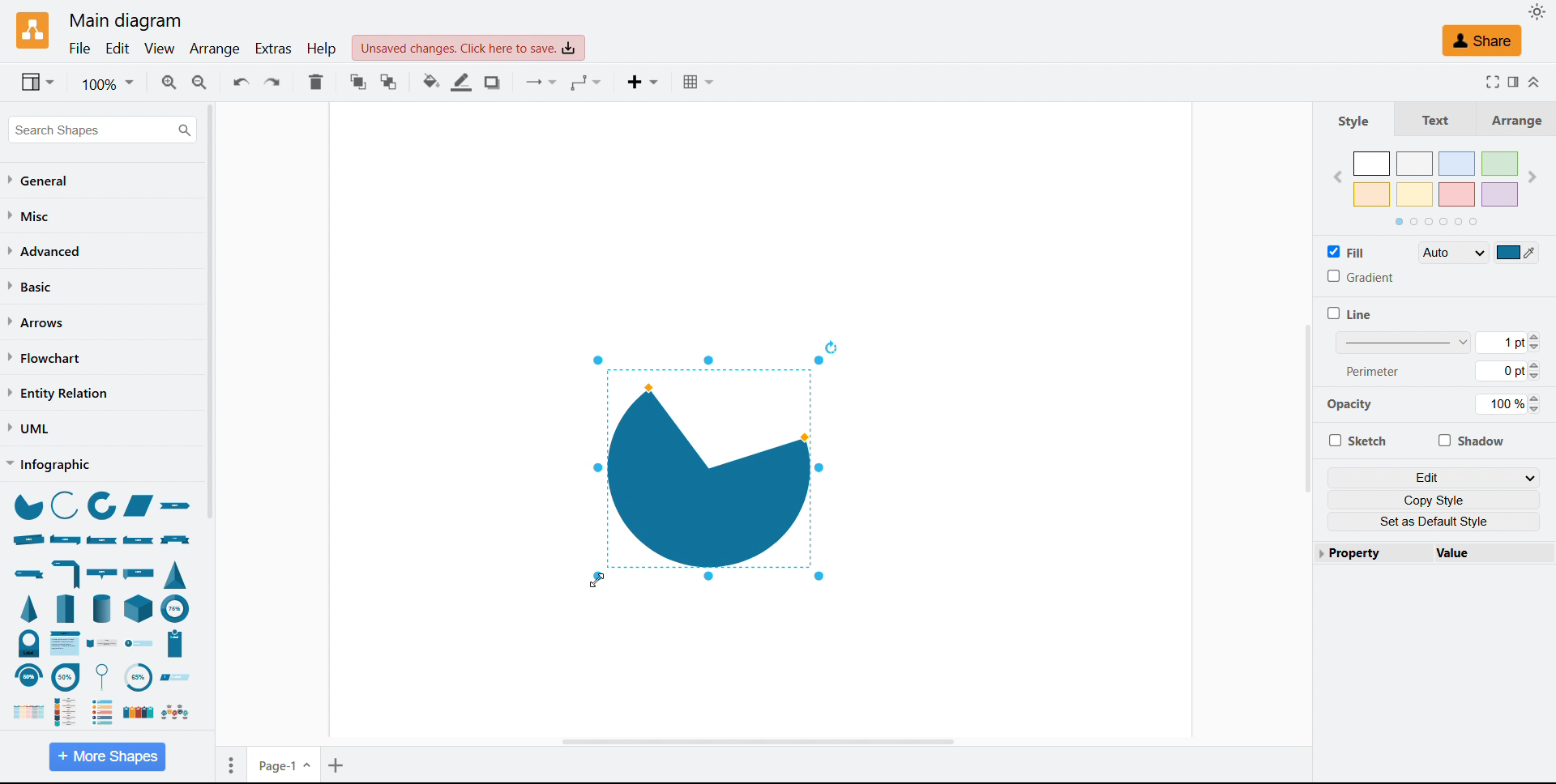 Image resolution: width=1556 pixels, height=784 pixels. I want to click on Zoom in , so click(169, 82).